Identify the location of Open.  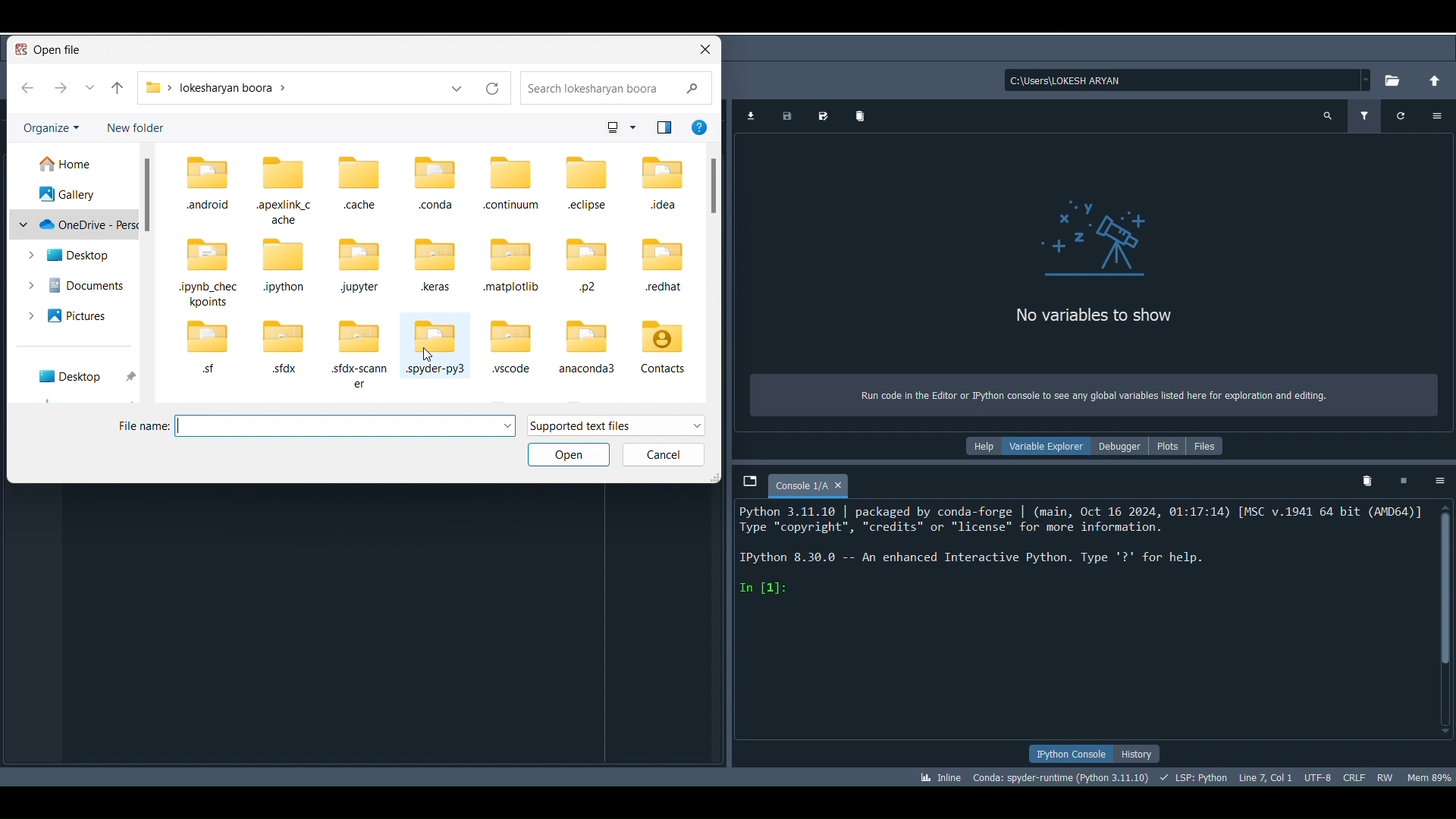
(569, 454).